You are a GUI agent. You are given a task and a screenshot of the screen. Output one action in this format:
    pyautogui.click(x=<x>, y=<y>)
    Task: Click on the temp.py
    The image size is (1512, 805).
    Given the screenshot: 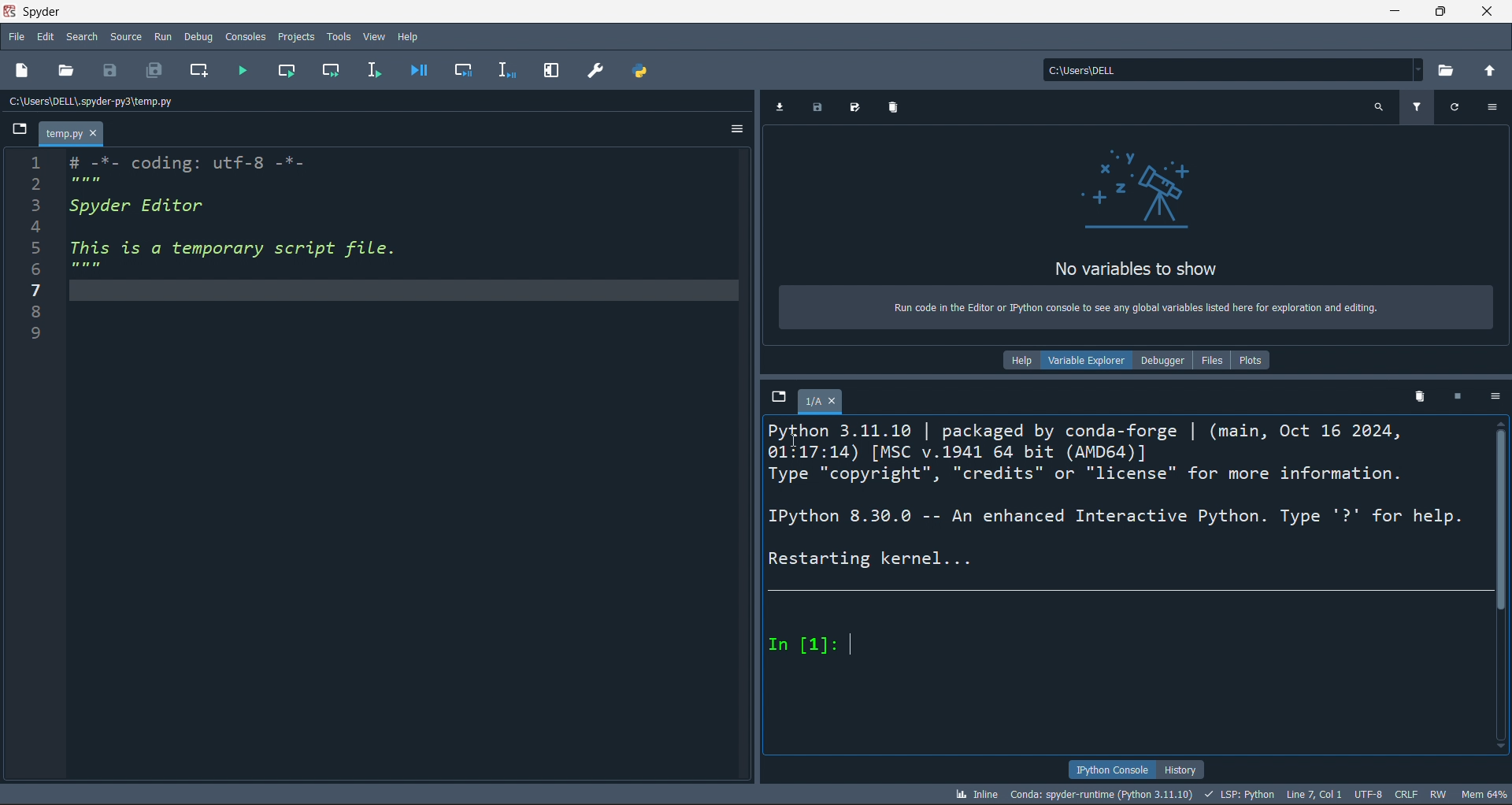 What is the action you would take?
    pyautogui.click(x=71, y=132)
    